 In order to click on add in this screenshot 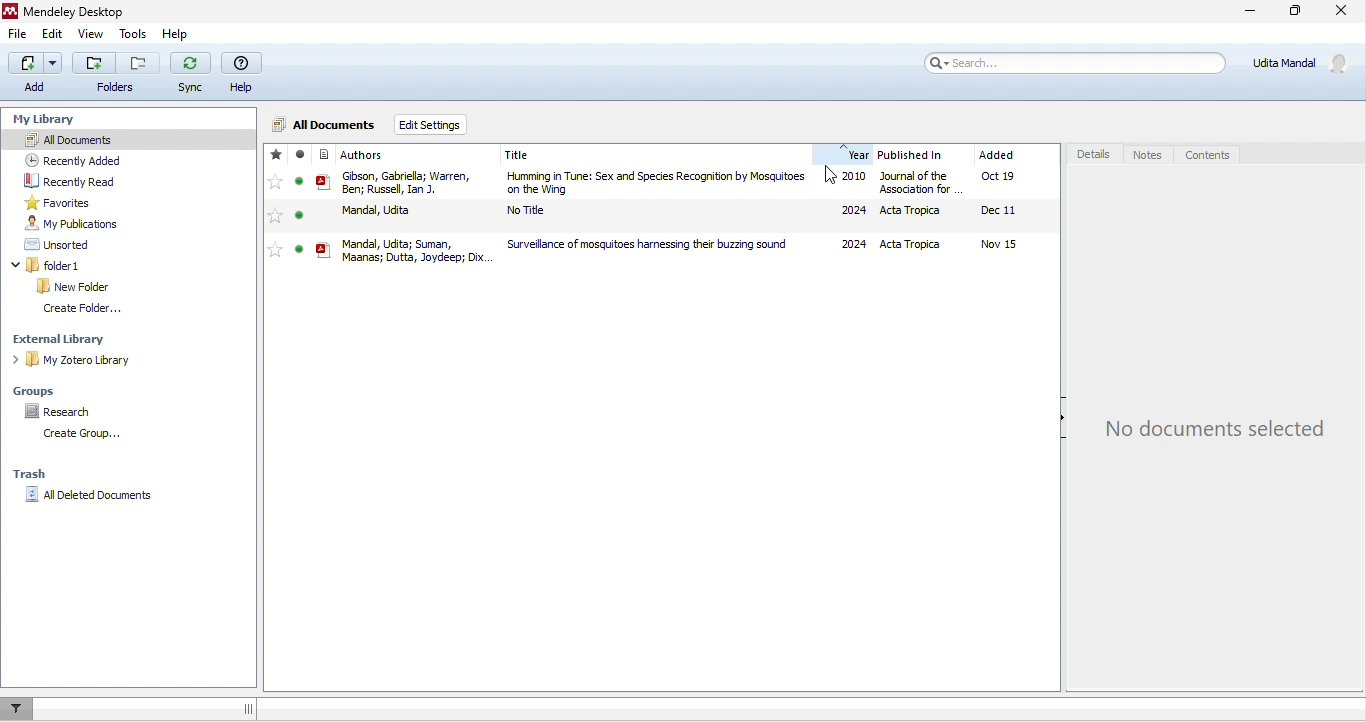, I will do `click(32, 72)`.